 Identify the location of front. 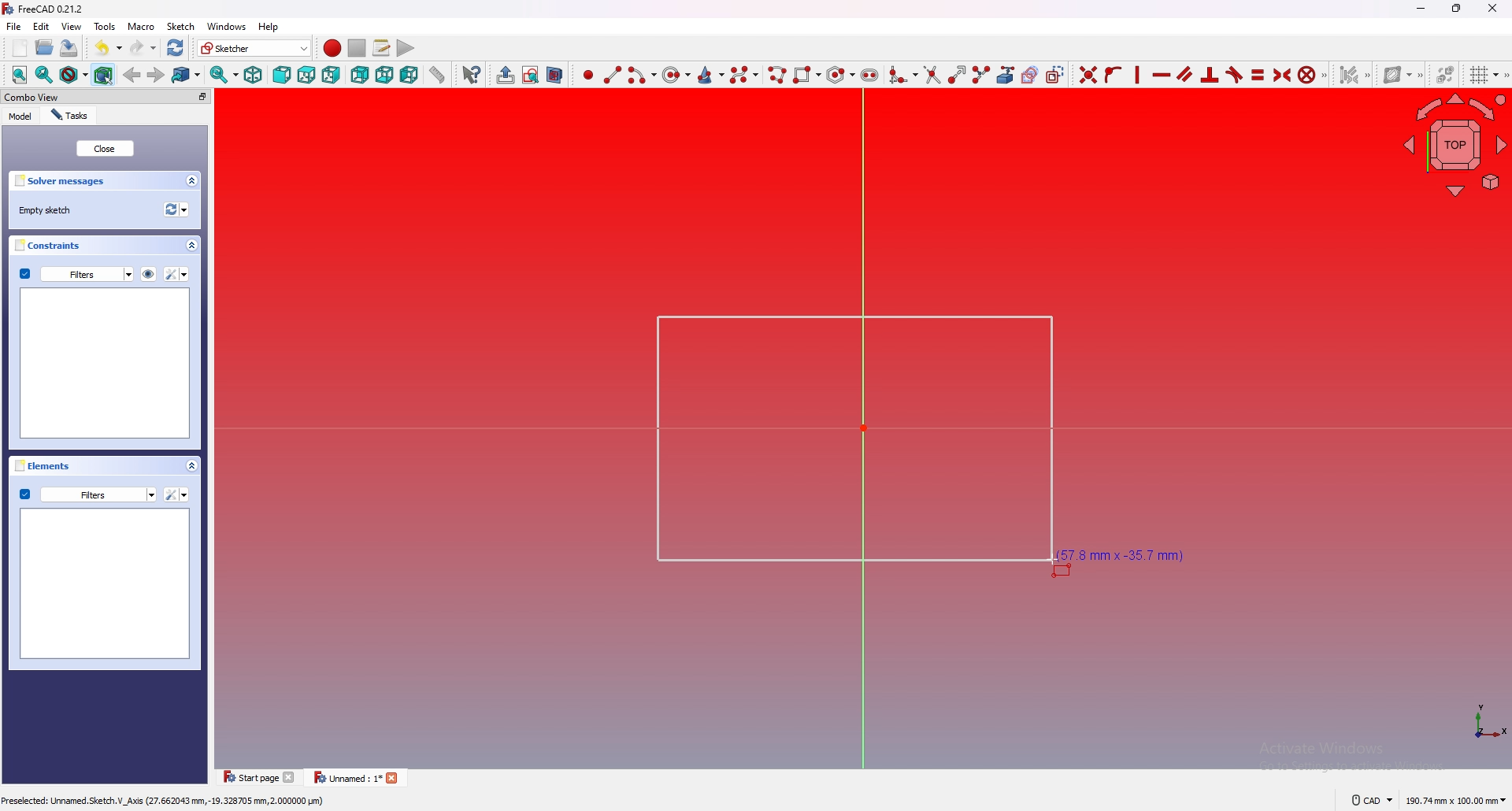
(282, 75).